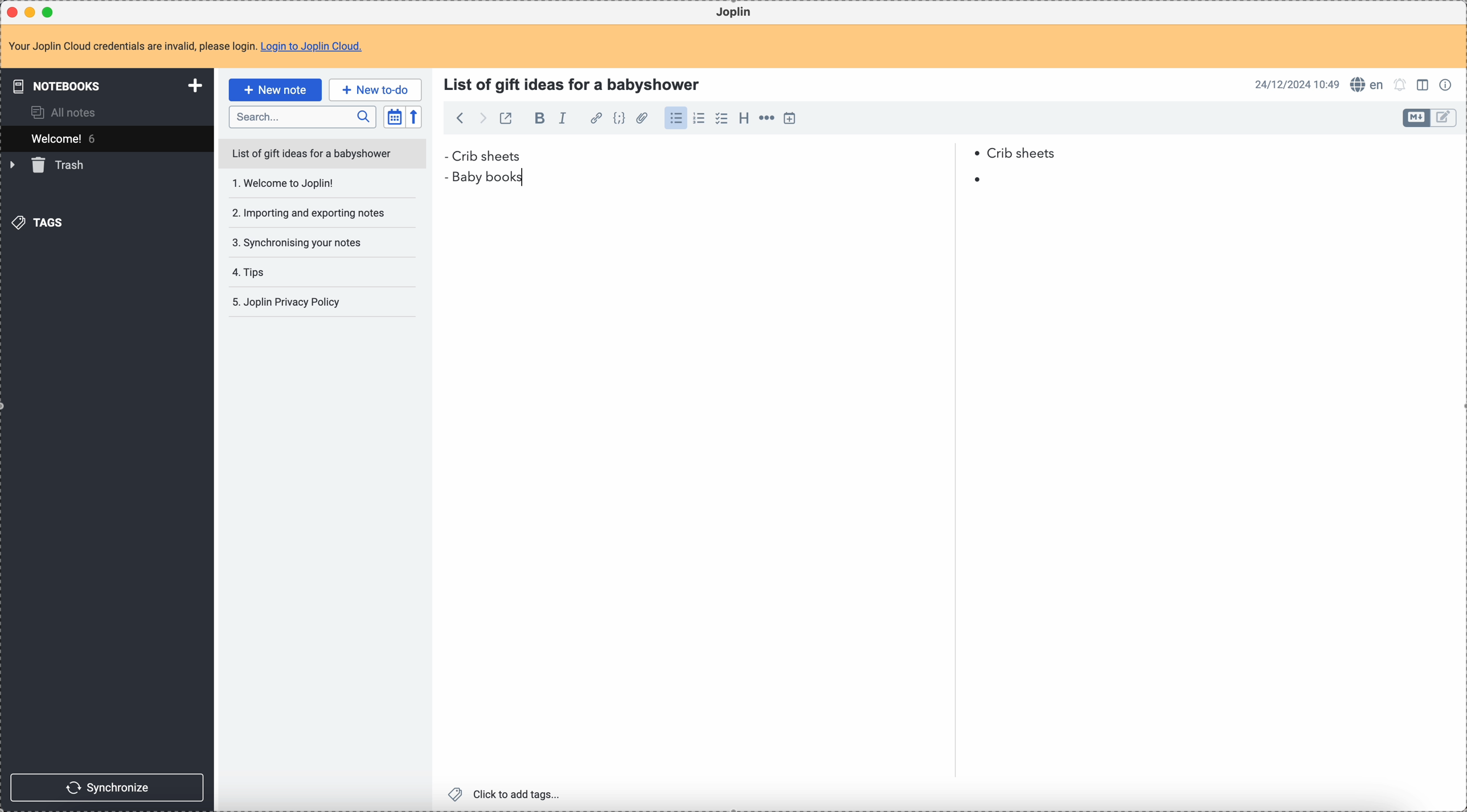  What do you see at coordinates (722, 119) in the screenshot?
I see `checklist` at bounding box center [722, 119].